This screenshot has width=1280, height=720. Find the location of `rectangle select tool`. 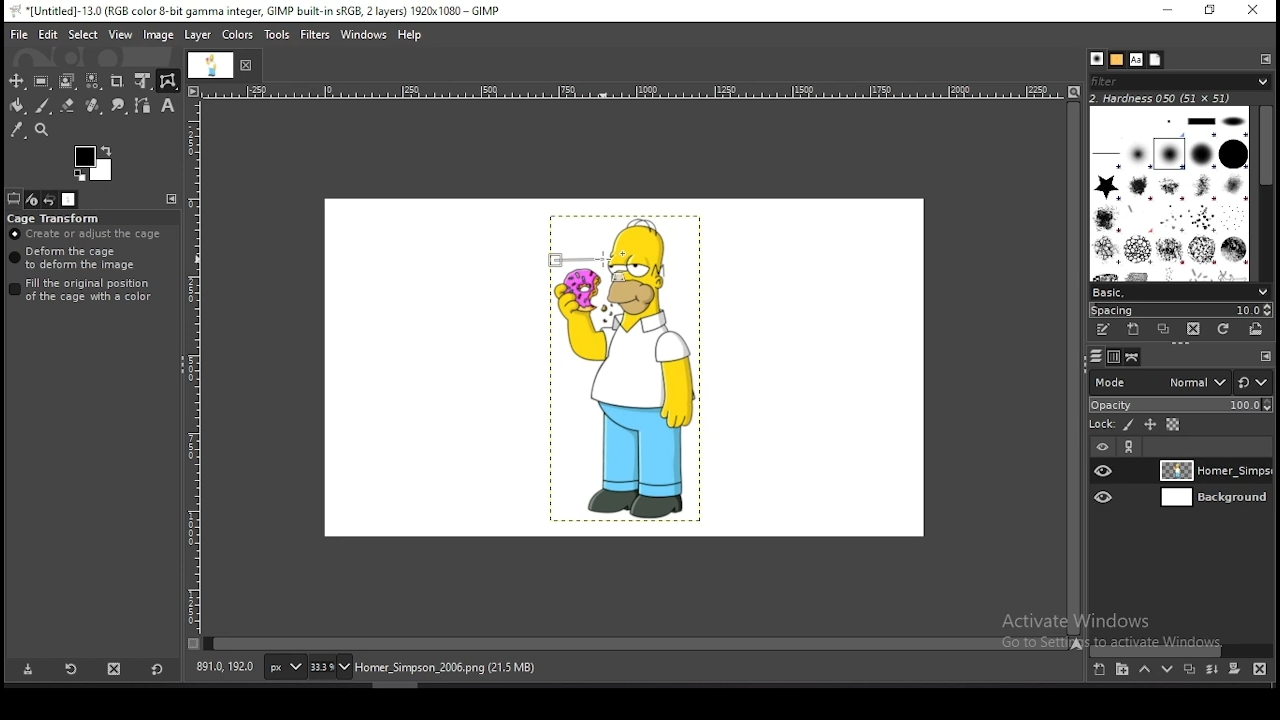

rectangle select tool is located at coordinates (42, 81).